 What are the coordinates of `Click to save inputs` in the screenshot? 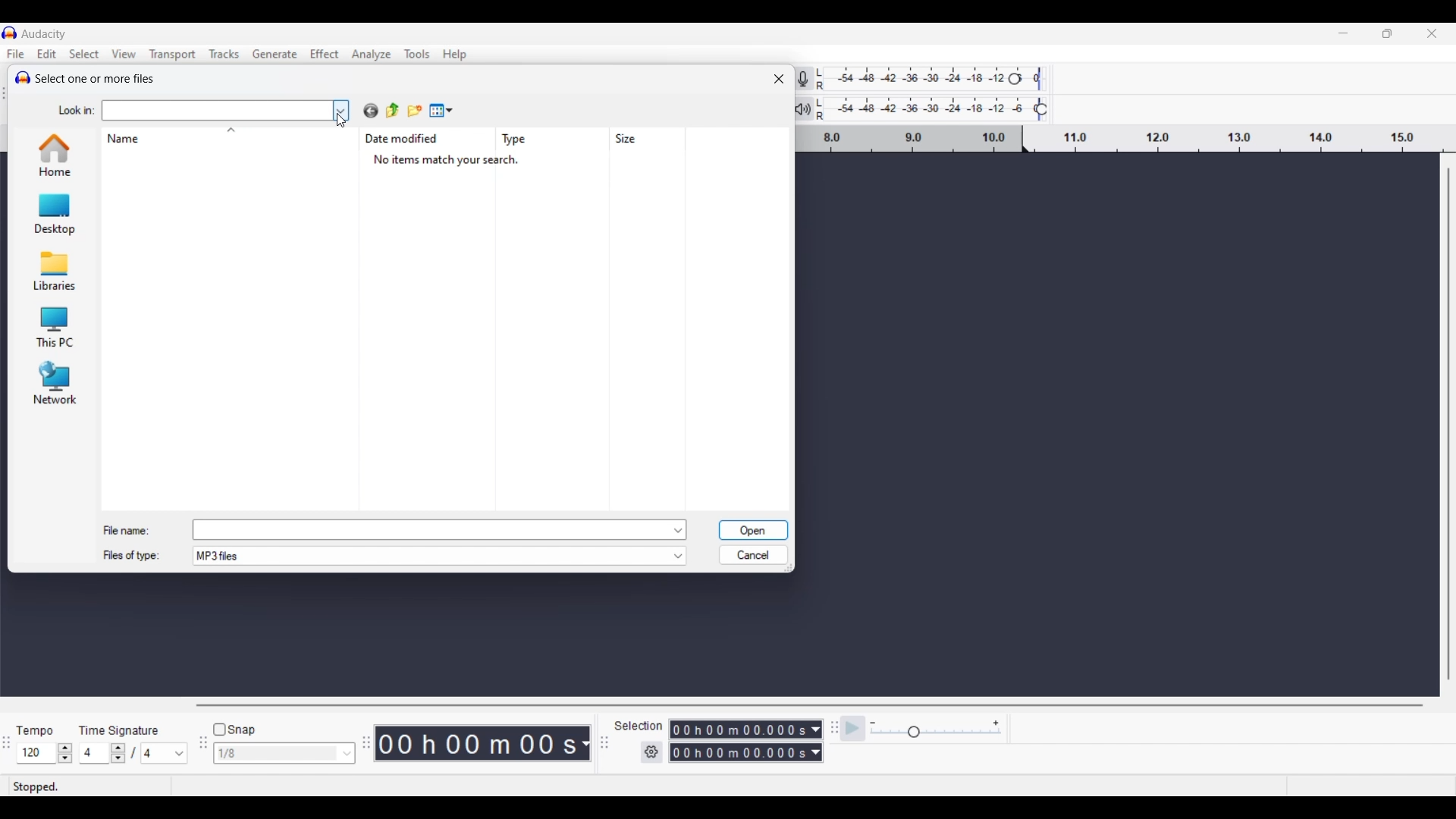 It's located at (753, 531).